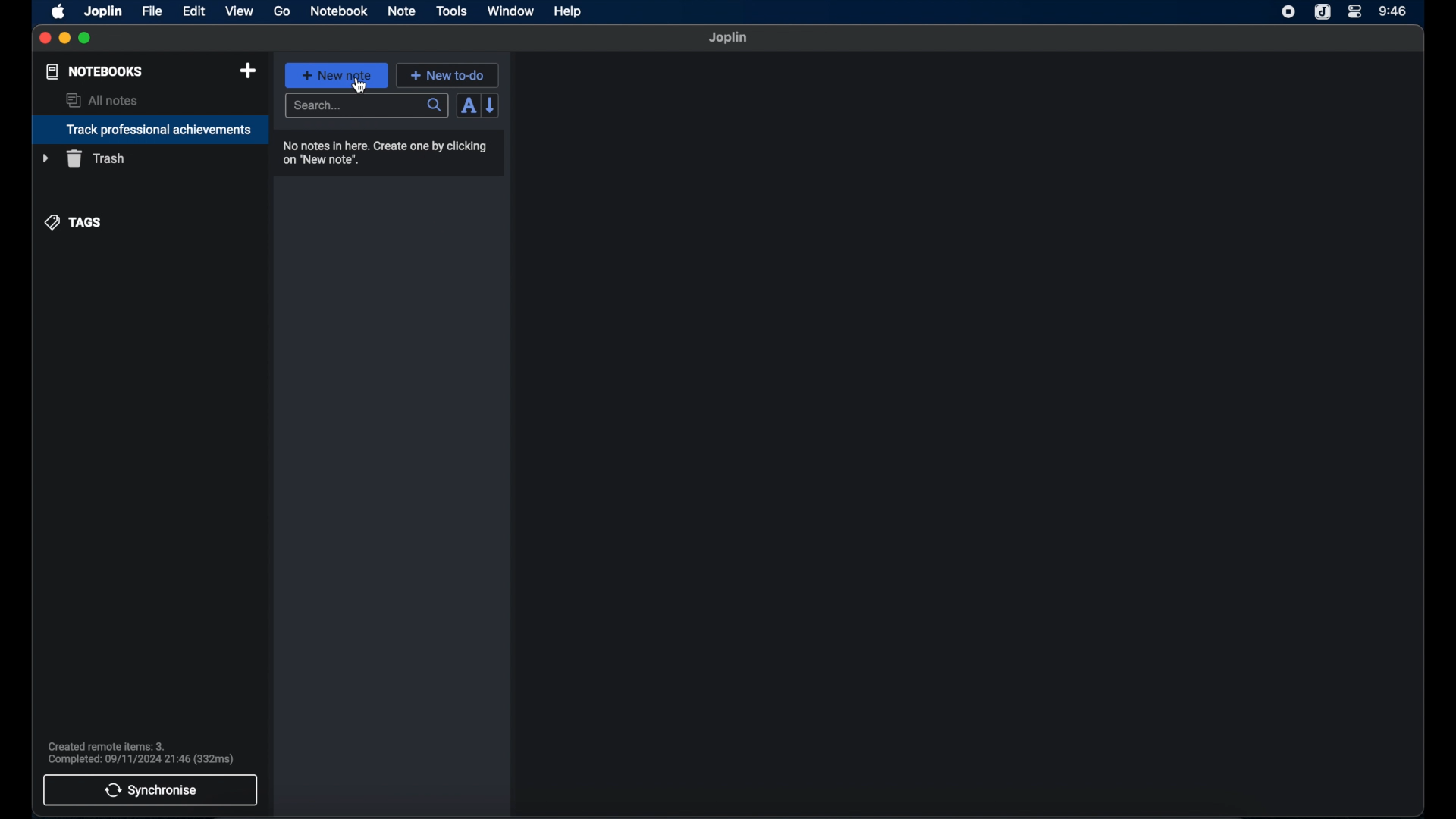  Describe the element at coordinates (149, 130) in the screenshot. I see `track professional achievements` at that location.